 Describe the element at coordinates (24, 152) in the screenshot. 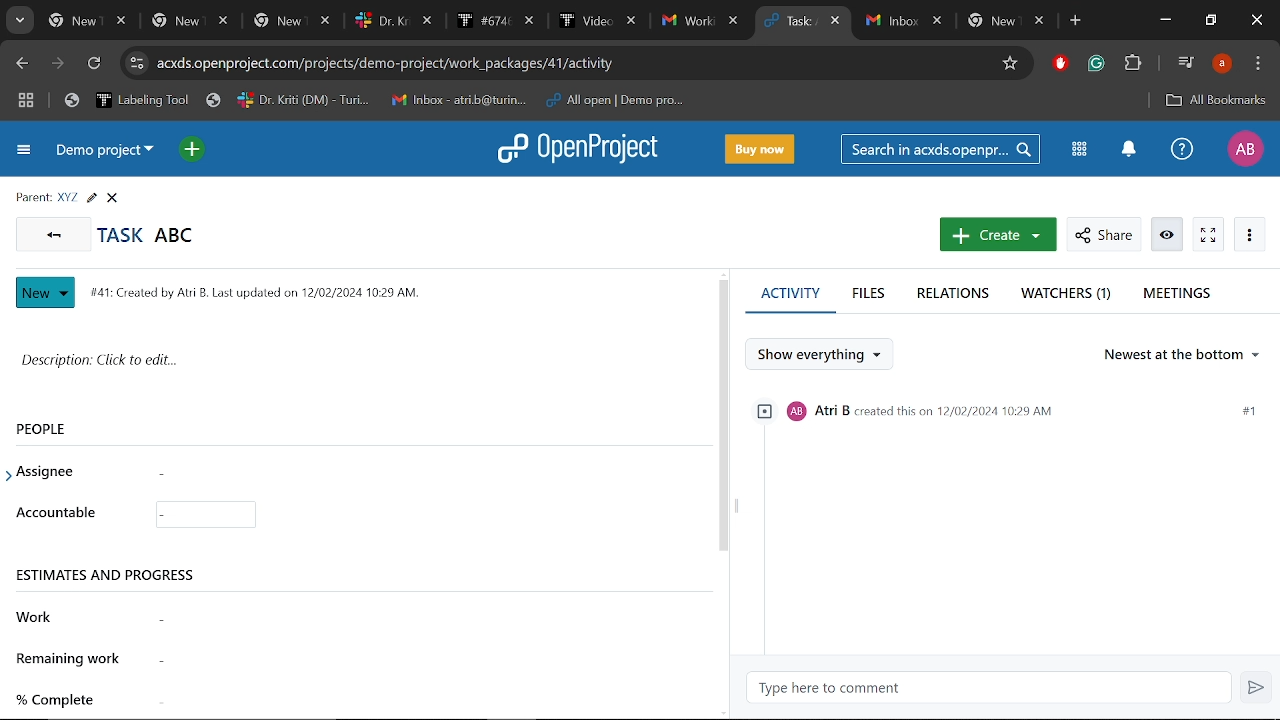

I see `Expand project menu` at that location.